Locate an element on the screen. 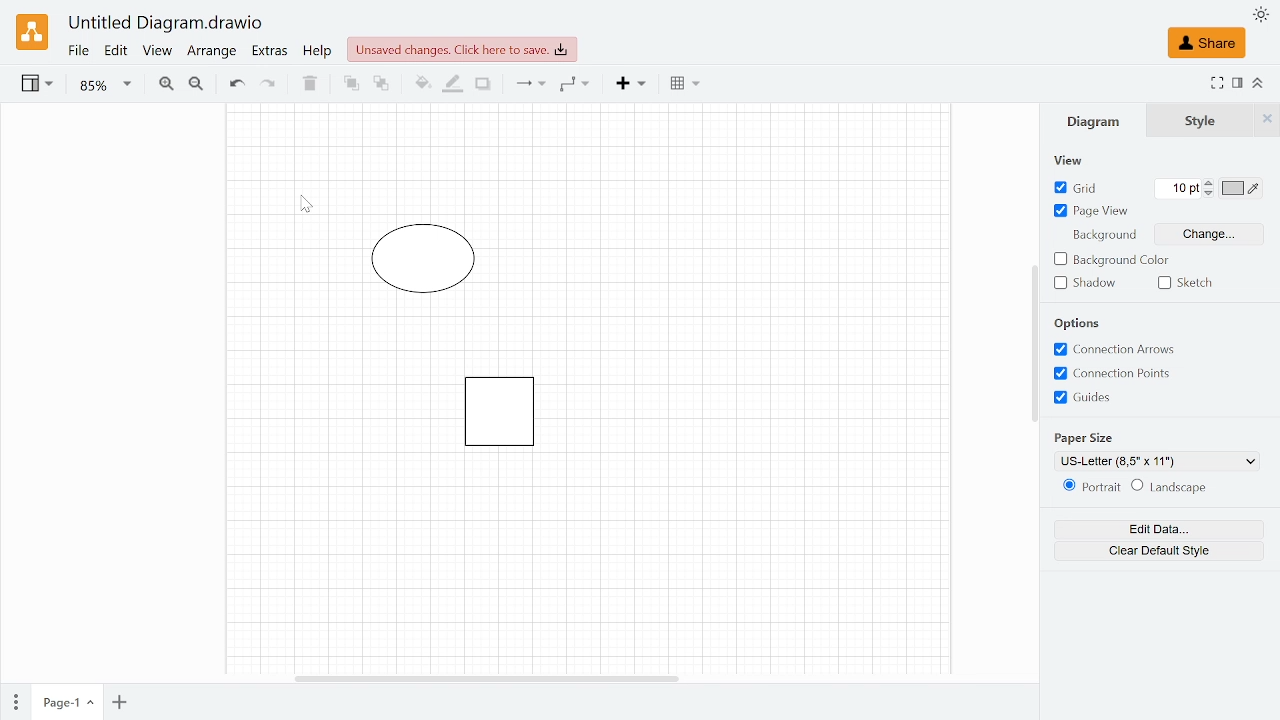  Paper size is located at coordinates (1158, 461).